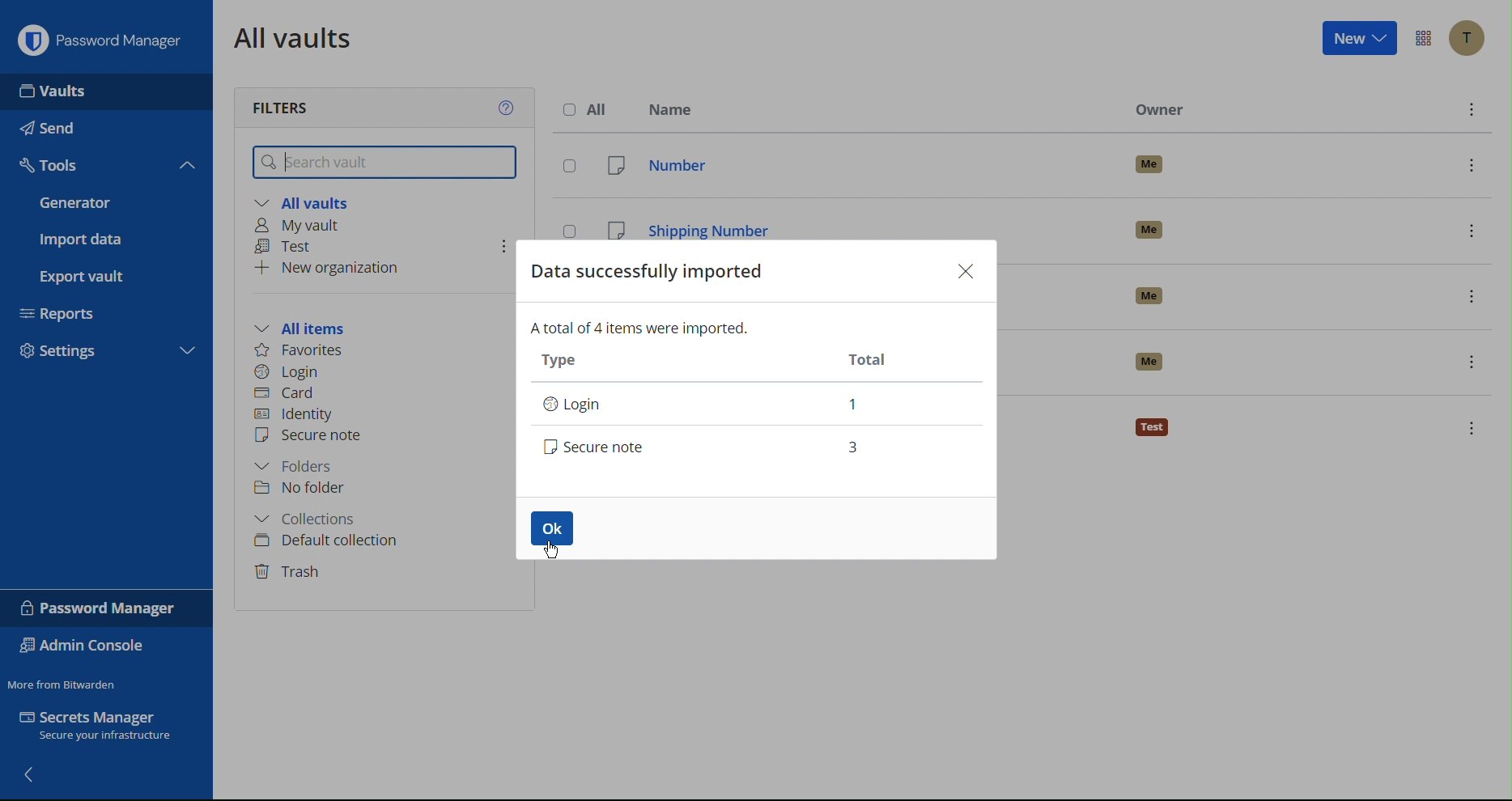  I want to click on owner, so click(1149, 295).